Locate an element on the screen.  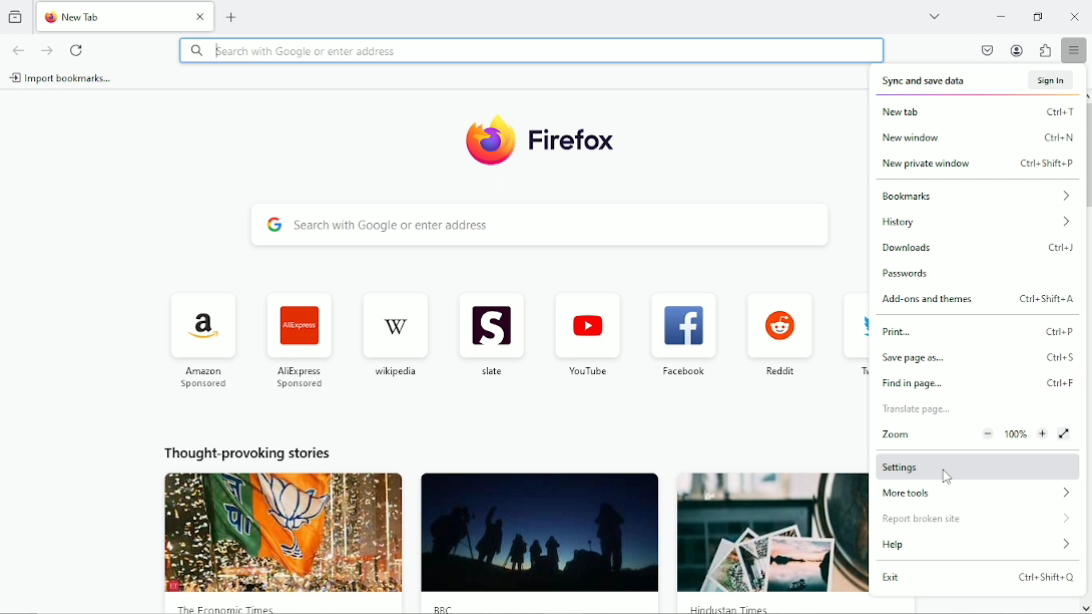
Firefox is located at coordinates (540, 141).